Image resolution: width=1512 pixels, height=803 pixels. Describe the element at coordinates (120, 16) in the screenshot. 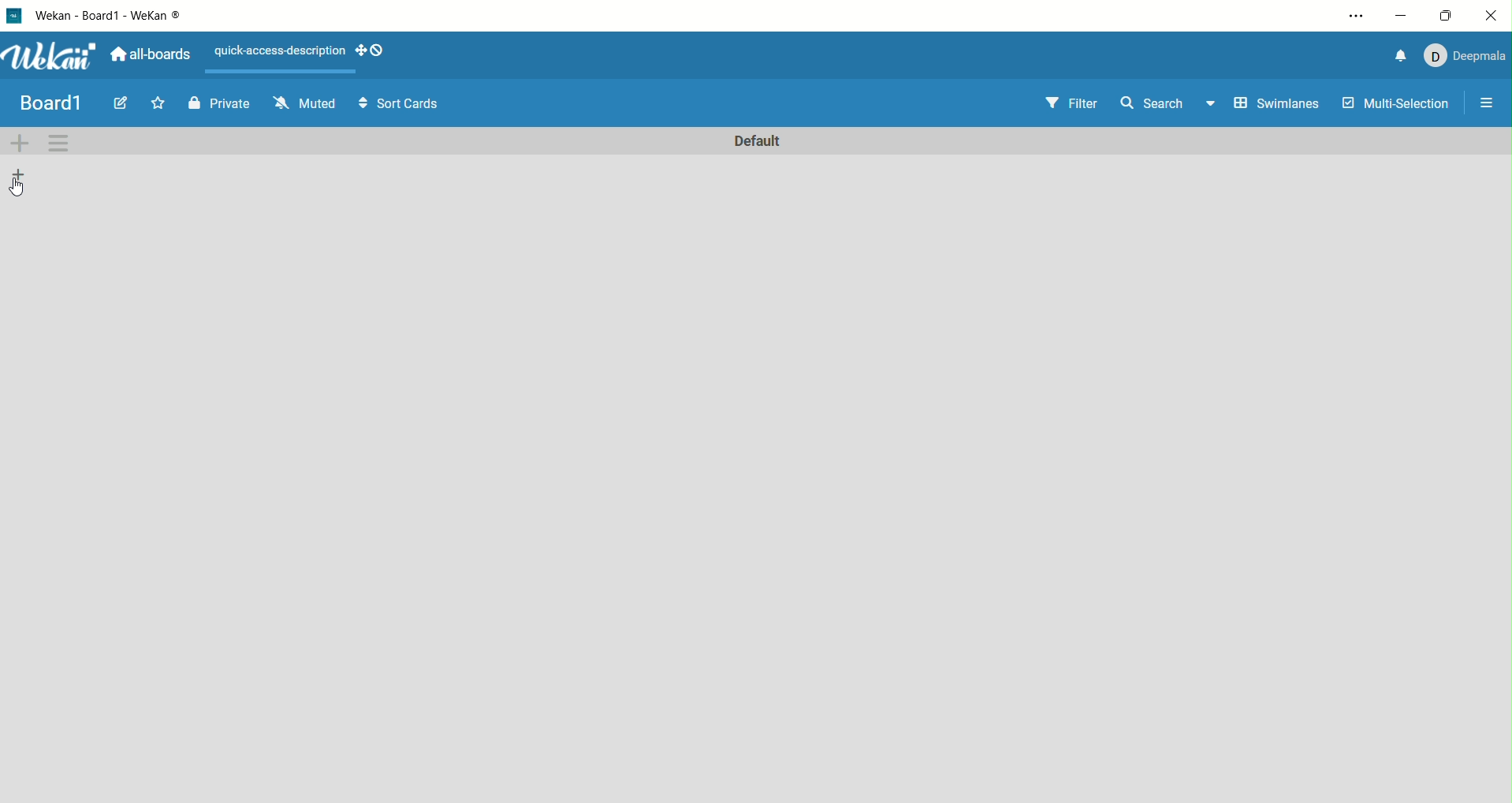

I see `wekan-wekan` at that location.